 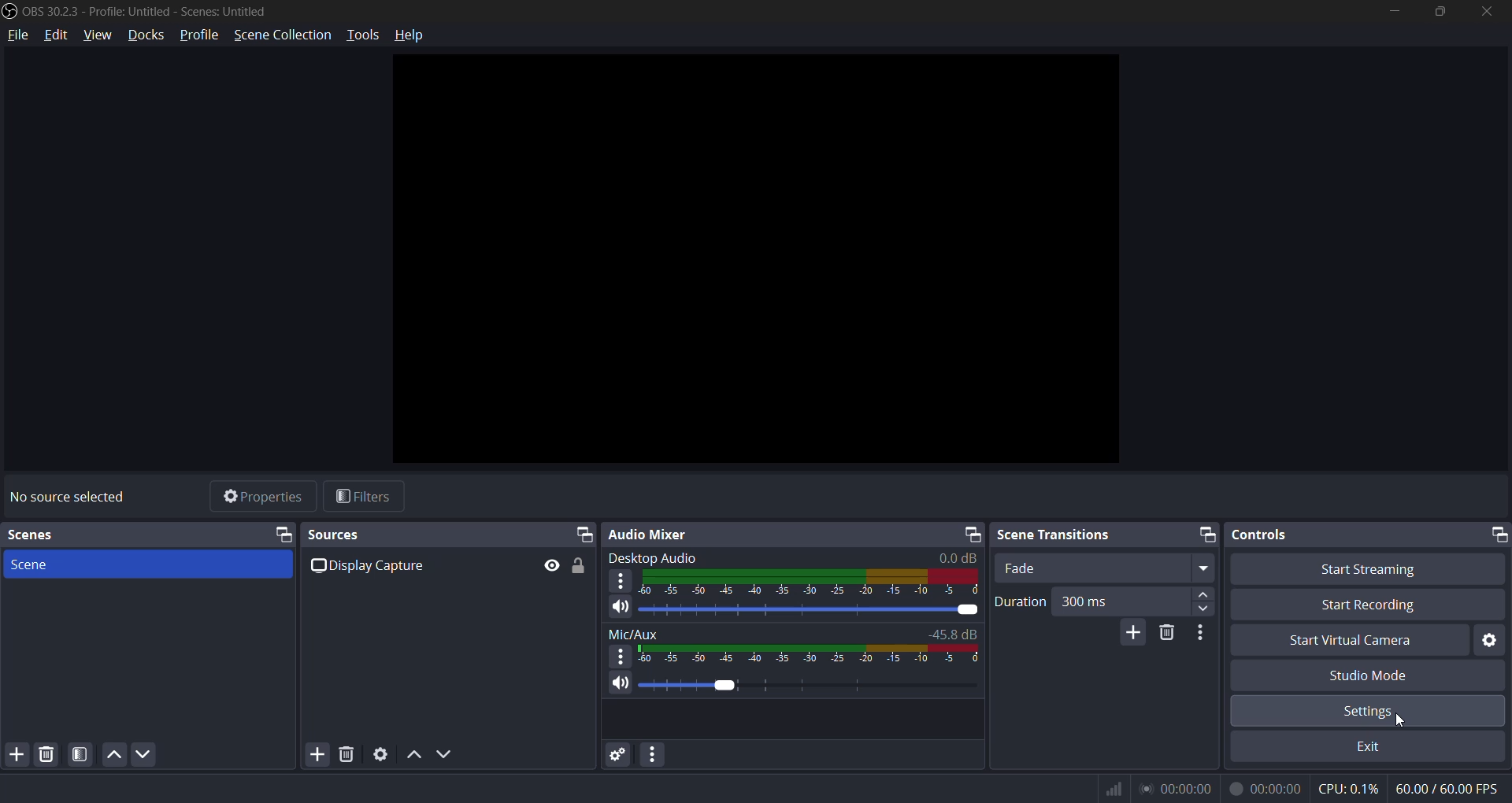 I want to click on App icon, so click(x=10, y=12).